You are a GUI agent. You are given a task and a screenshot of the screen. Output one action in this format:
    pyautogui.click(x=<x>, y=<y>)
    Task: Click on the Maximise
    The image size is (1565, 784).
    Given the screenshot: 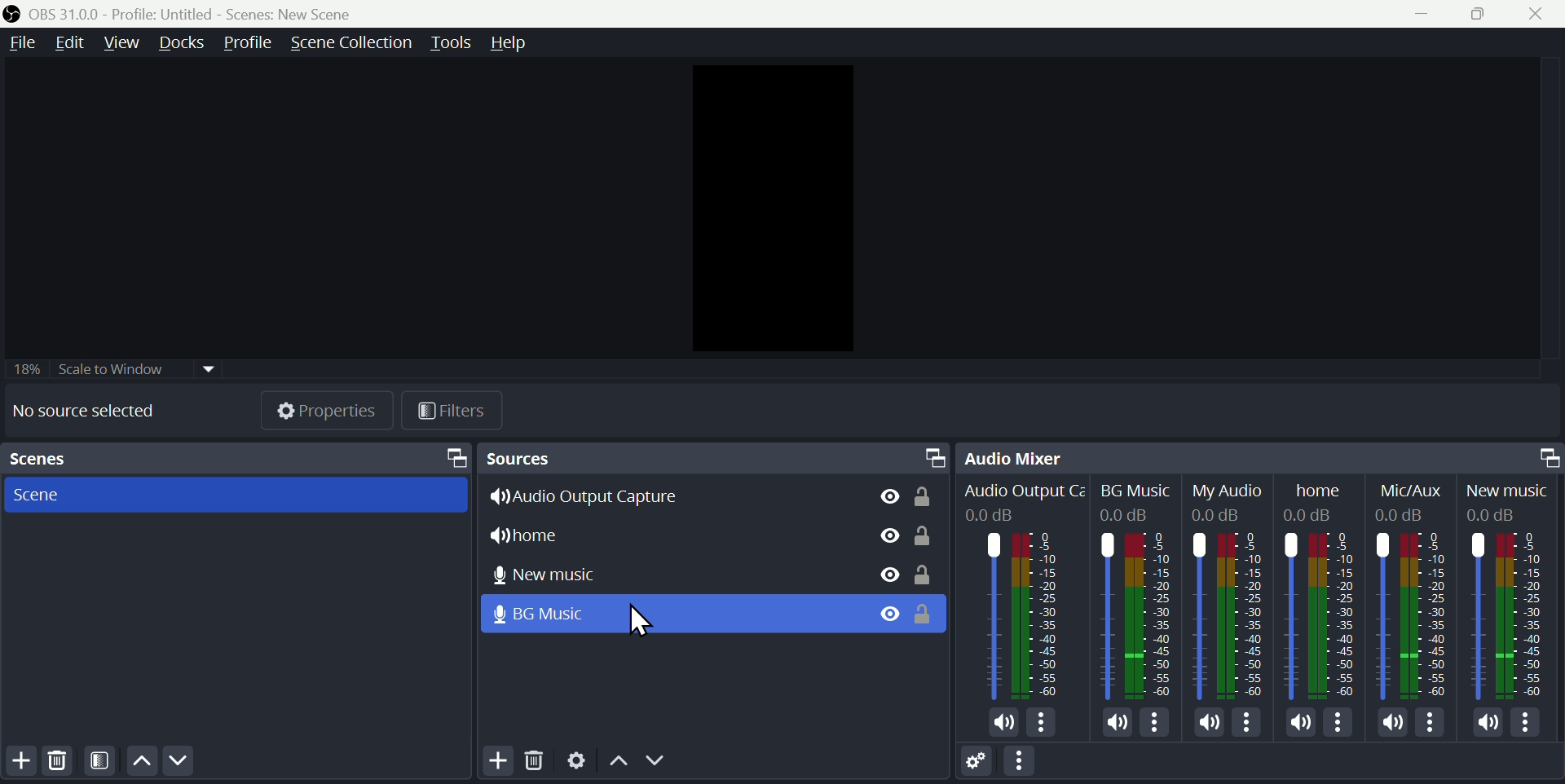 What is the action you would take?
    pyautogui.click(x=1481, y=13)
    